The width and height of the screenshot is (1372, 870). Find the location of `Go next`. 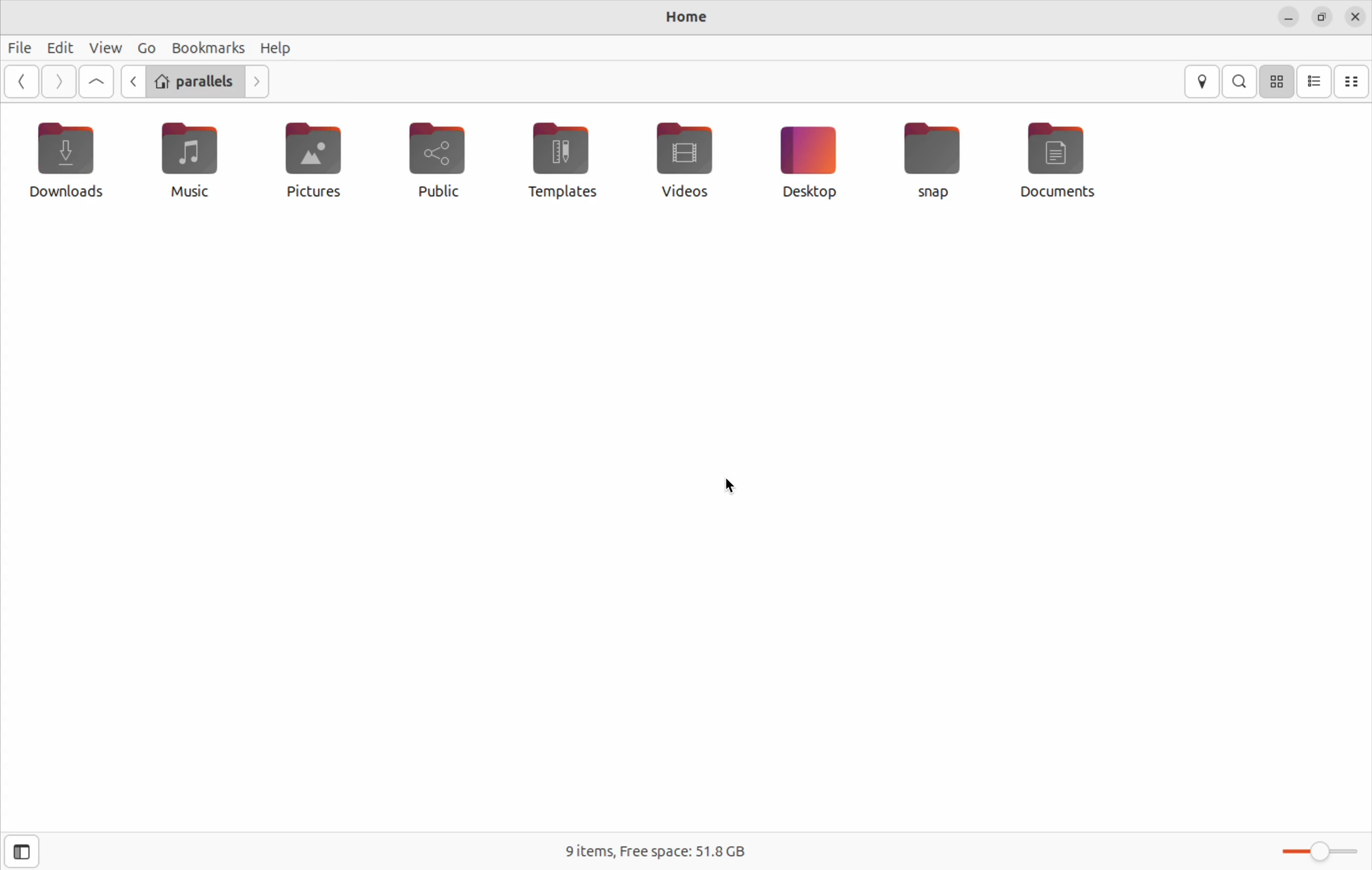

Go next is located at coordinates (259, 83).